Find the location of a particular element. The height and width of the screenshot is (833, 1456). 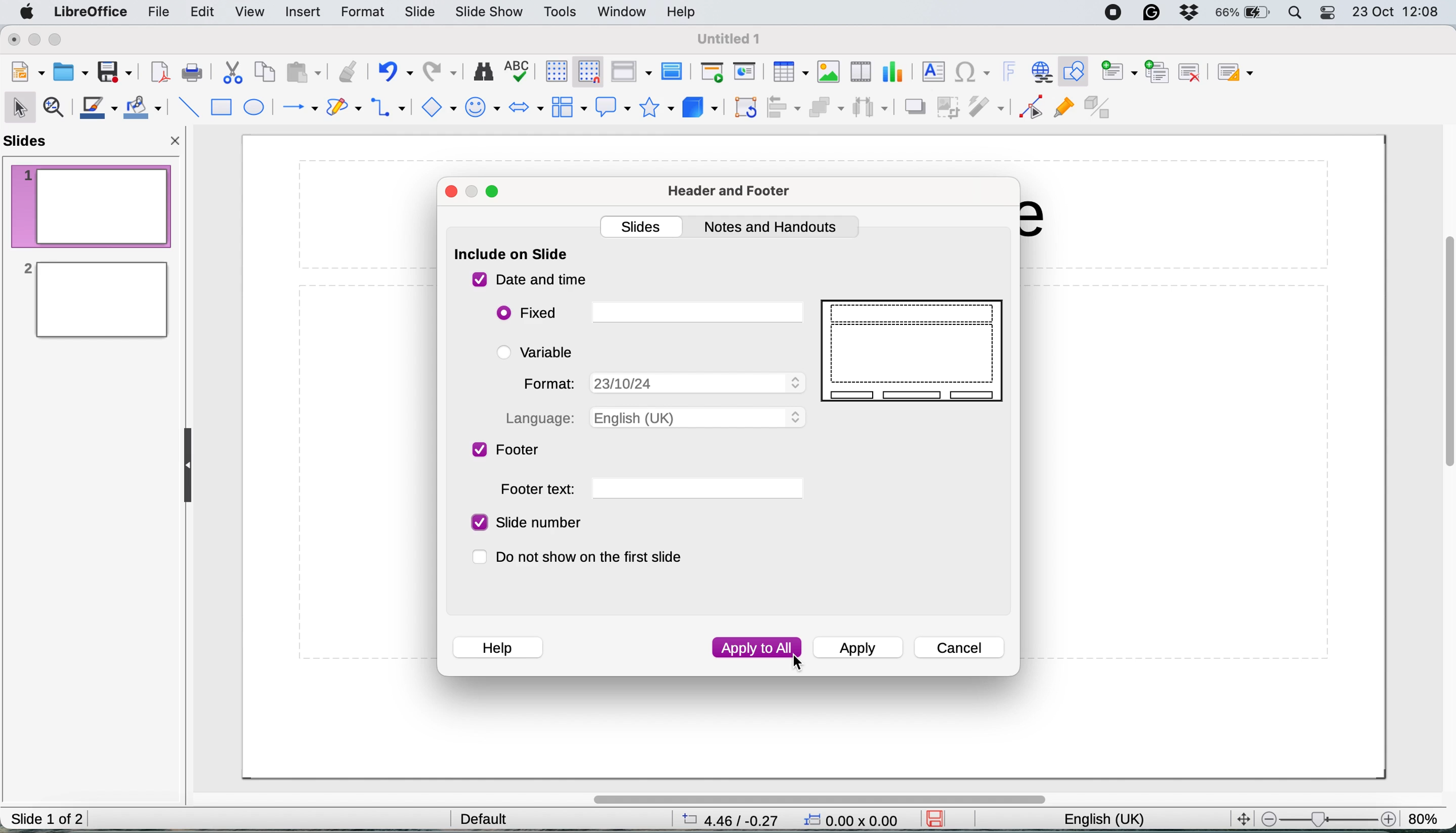

paste is located at coordinates (301, 72).